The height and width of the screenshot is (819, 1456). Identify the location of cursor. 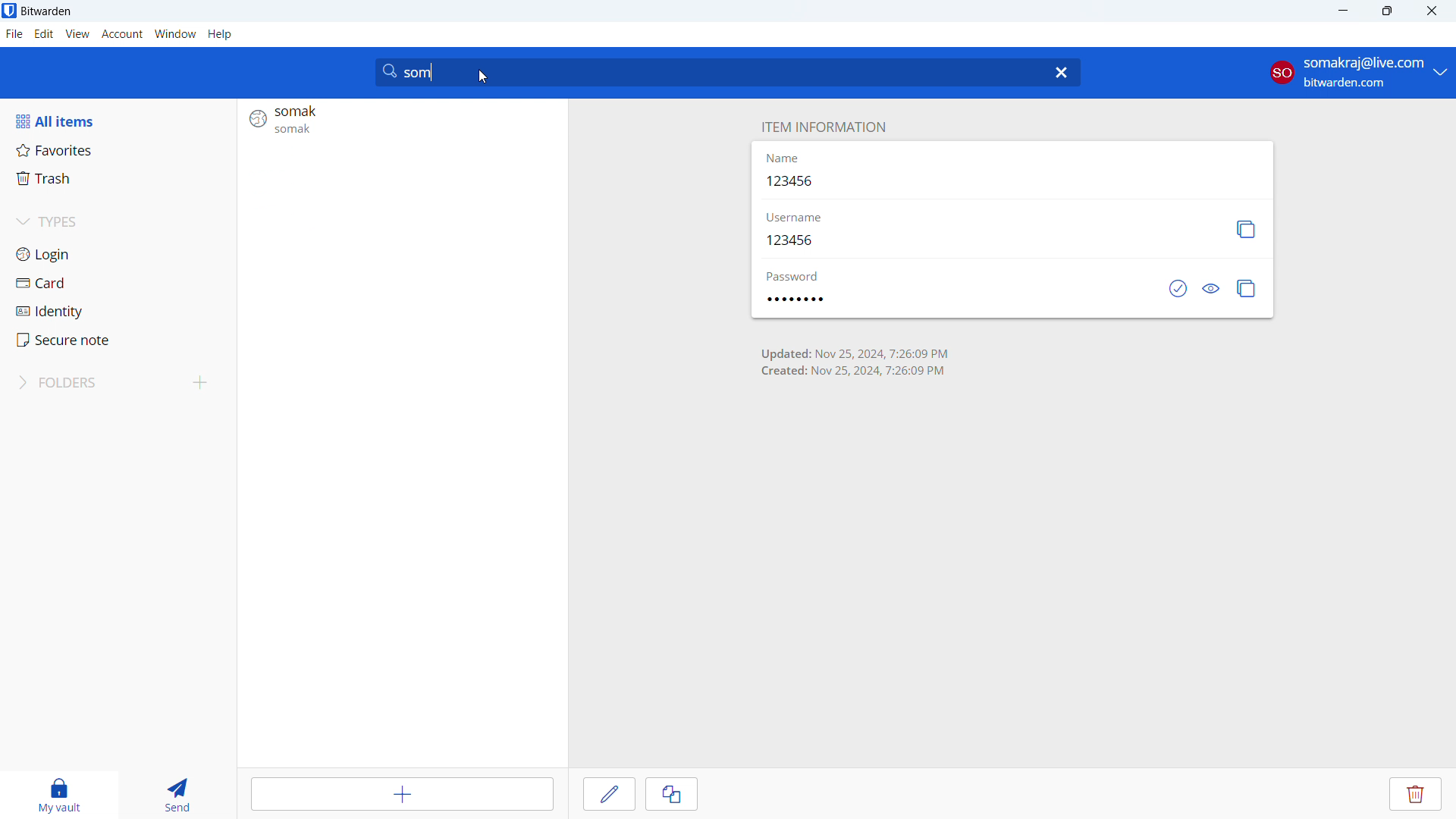
(492, 76).